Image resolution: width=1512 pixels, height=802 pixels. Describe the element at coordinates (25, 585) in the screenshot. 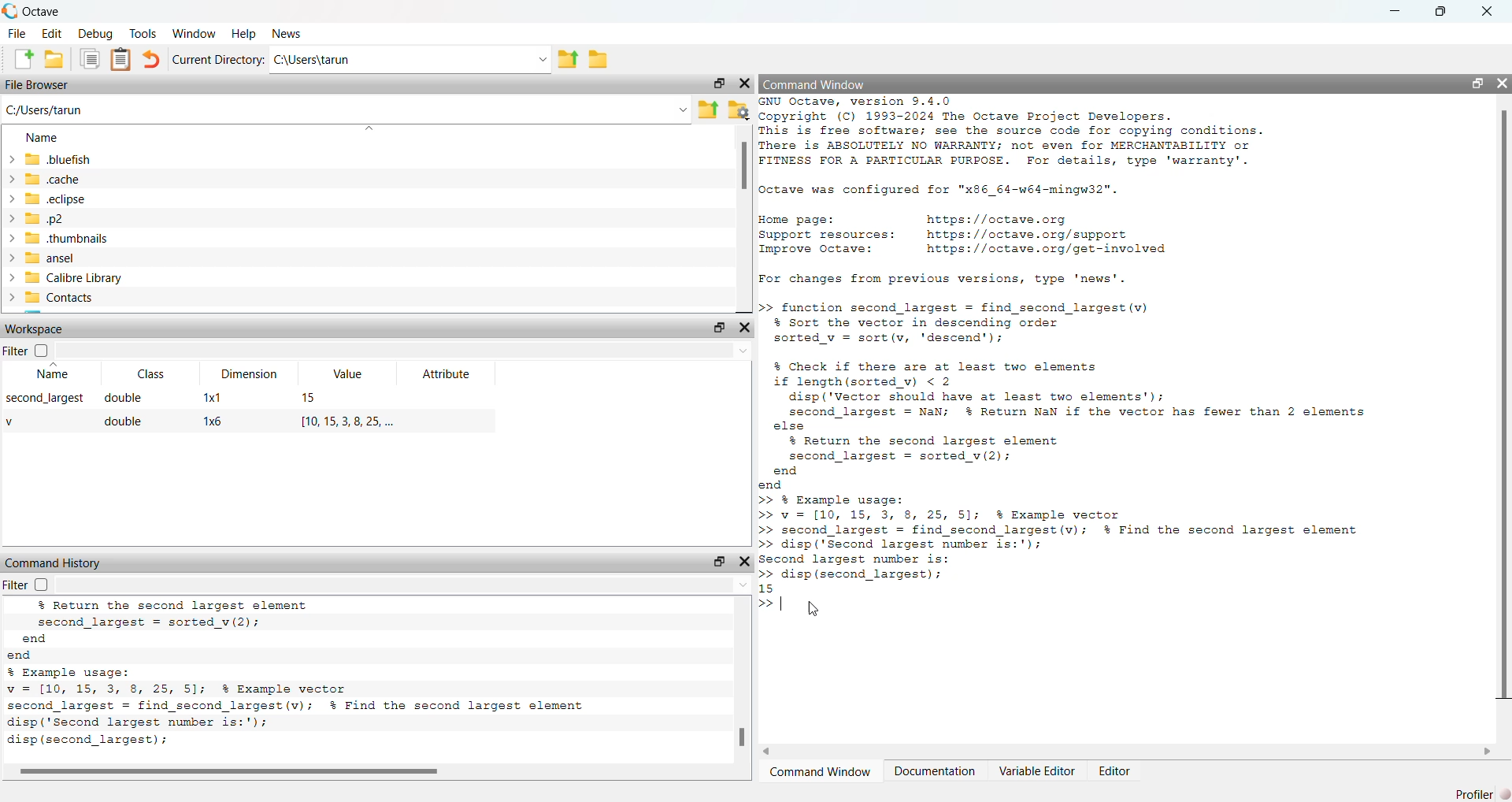

I see `filter` at that location.